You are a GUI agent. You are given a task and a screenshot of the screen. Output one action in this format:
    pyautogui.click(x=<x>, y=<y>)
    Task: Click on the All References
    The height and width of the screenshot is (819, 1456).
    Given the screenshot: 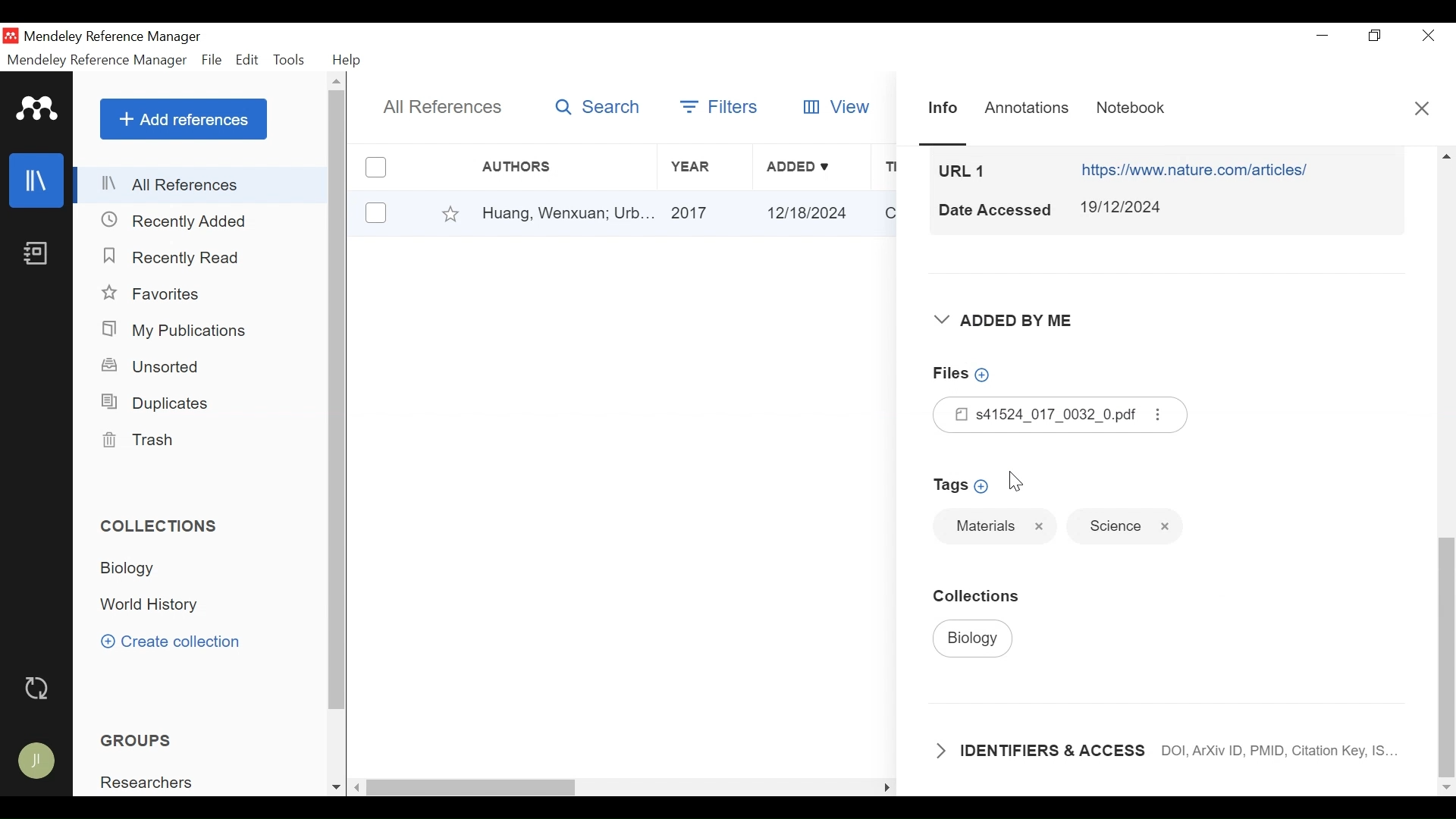 What is the action you would take?
    pyautogui.click(x=202, y=184)
    